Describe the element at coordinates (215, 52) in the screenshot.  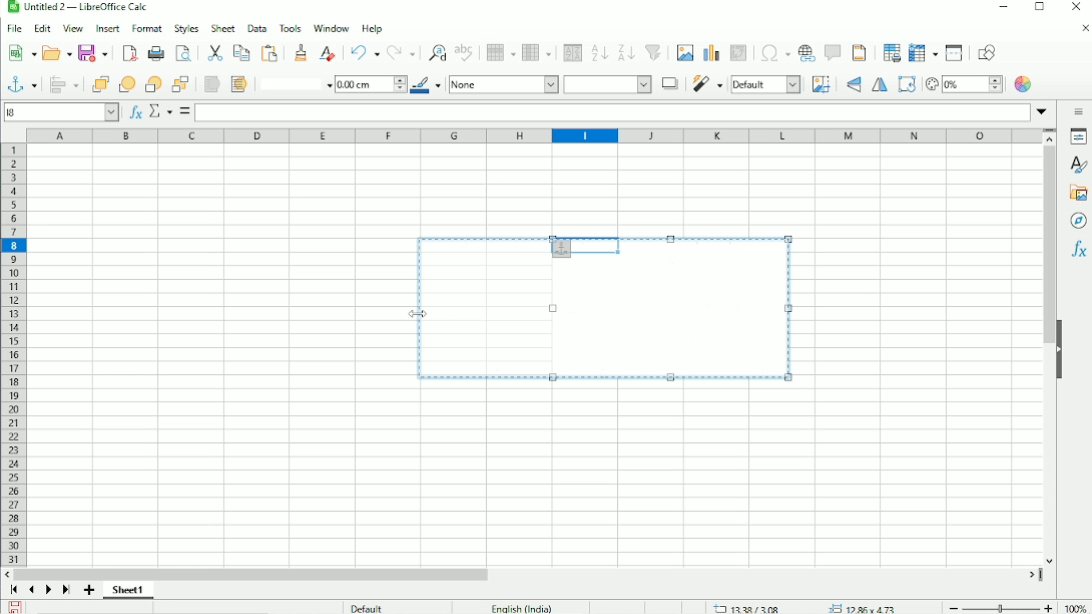
I see `Paste` at that location.